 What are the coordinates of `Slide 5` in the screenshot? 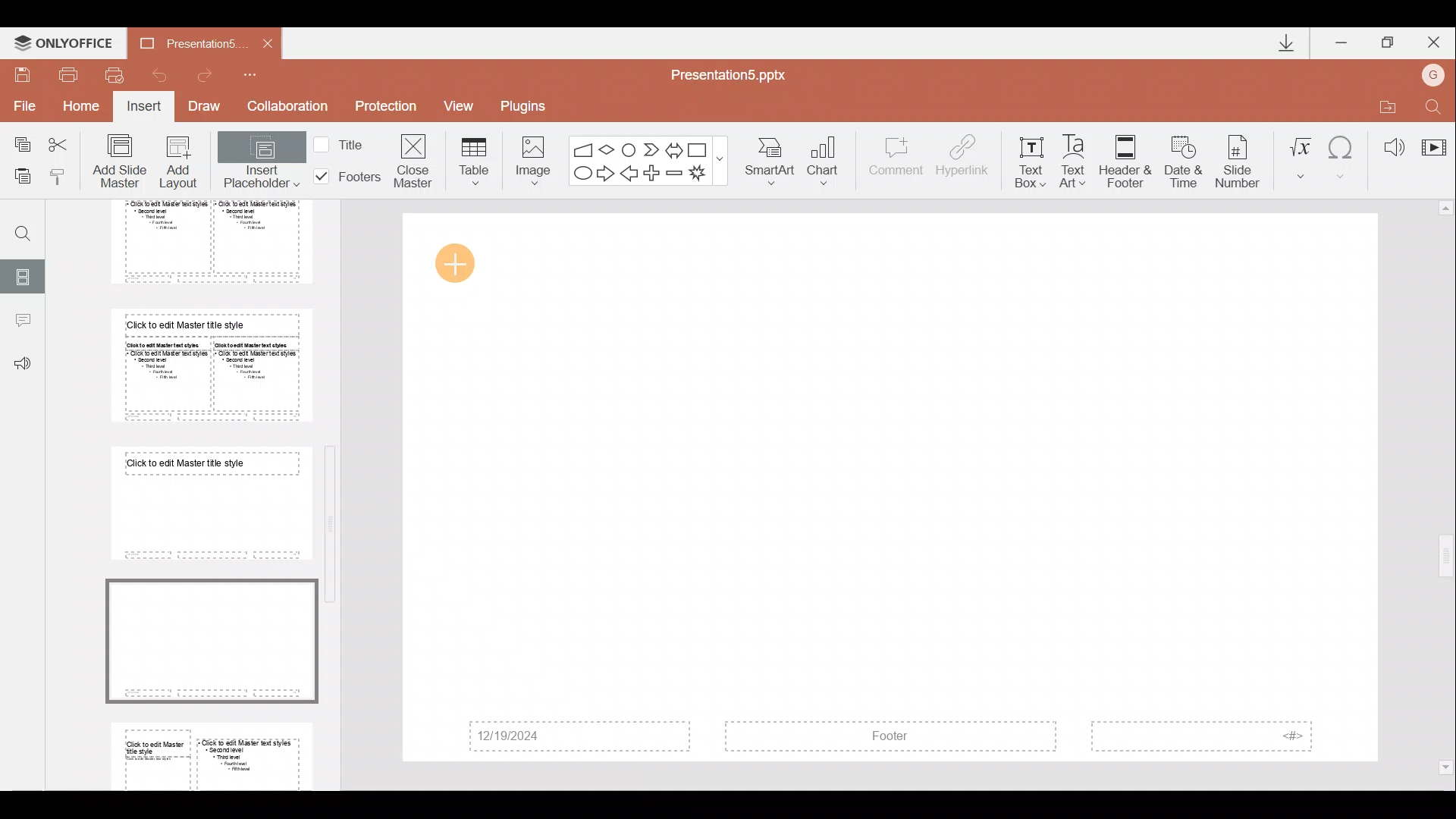 It's located at (199, 242).